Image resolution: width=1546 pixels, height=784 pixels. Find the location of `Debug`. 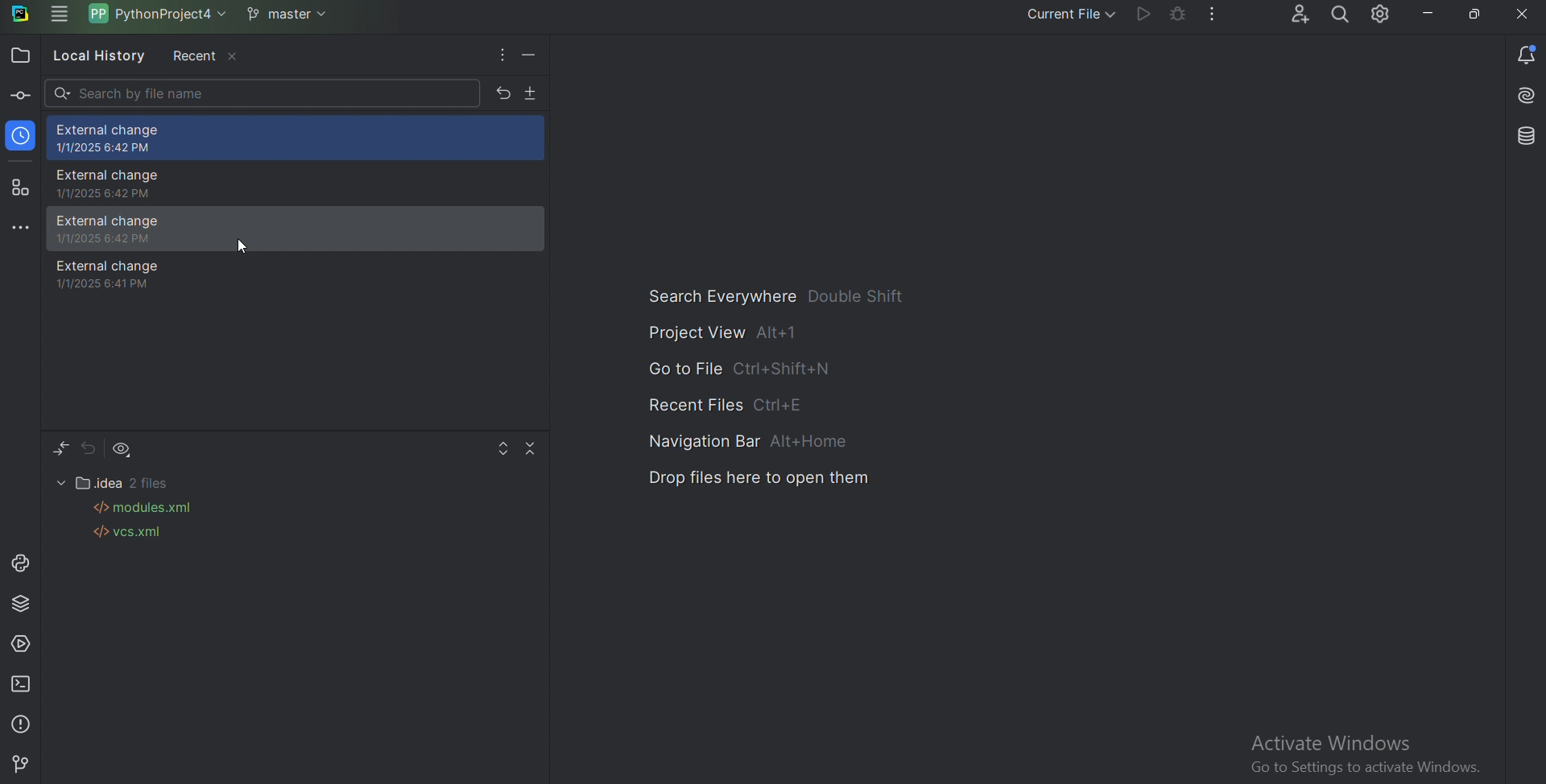

Debug is located at coordinates (1180, 14).